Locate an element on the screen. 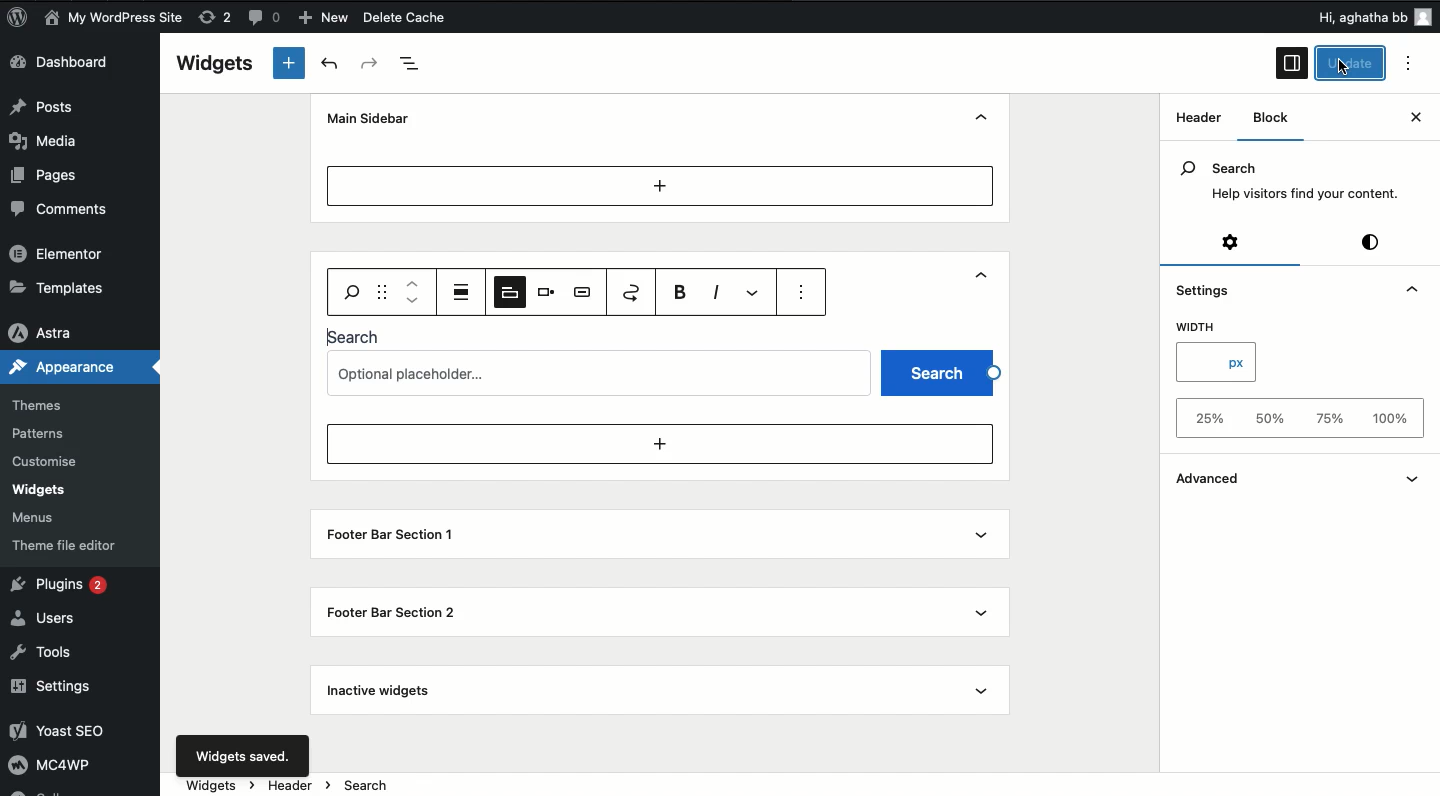  cursor is located at coordinates (1336, 68).